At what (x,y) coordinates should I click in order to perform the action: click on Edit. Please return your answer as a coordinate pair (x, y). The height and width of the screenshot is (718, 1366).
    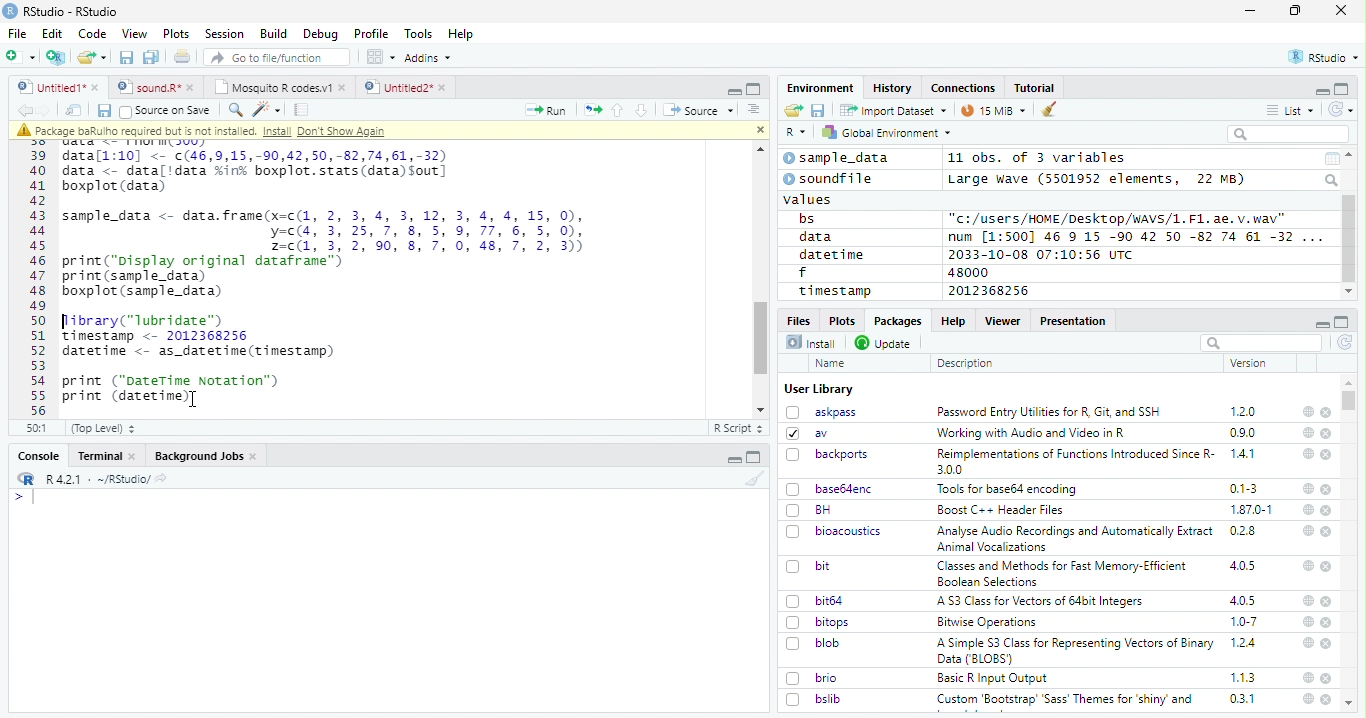
    Looking at the image, I should click on (52, 33).